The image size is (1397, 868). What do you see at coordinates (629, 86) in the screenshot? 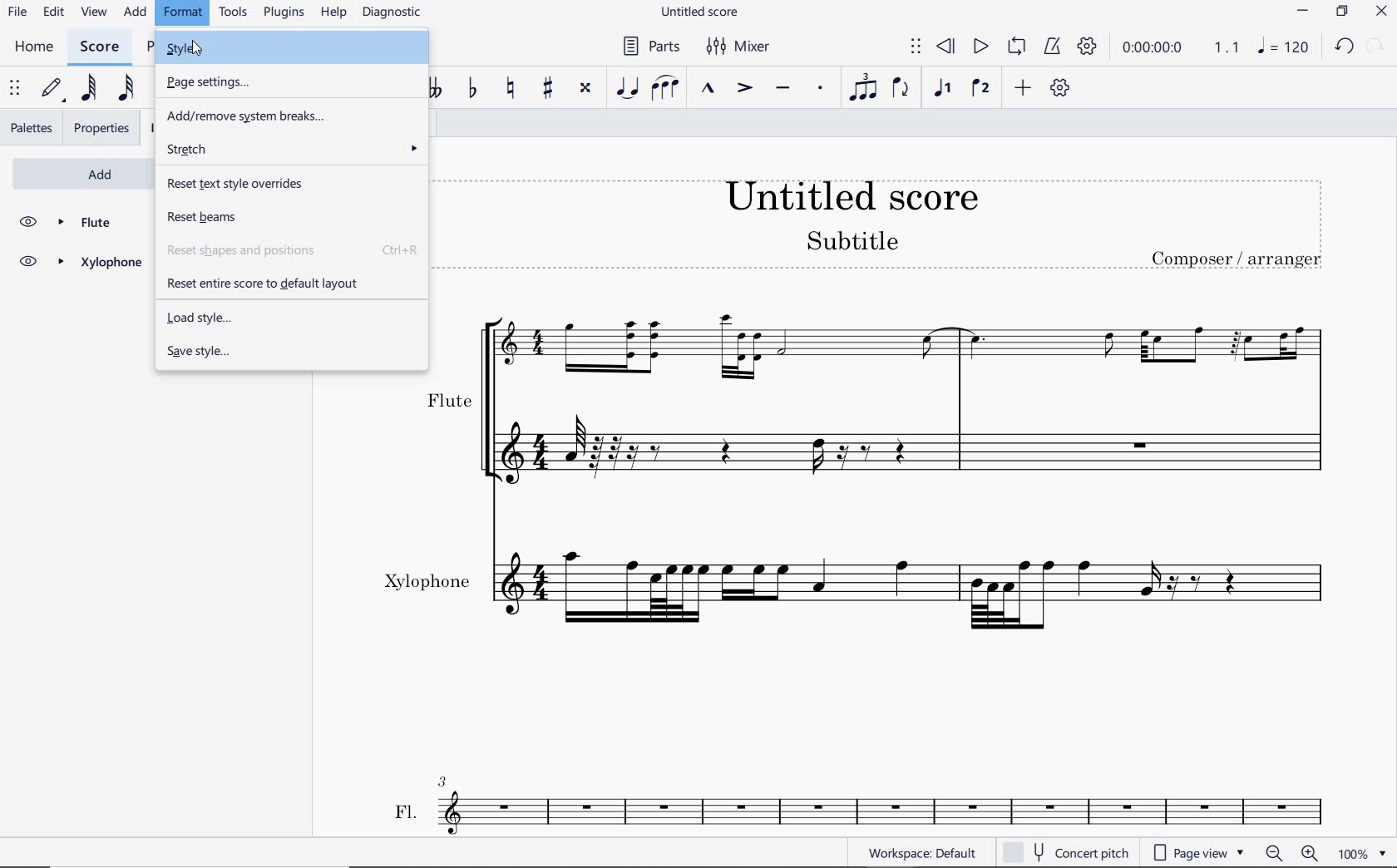
I see `TIE` at bounding box center [629, 86].